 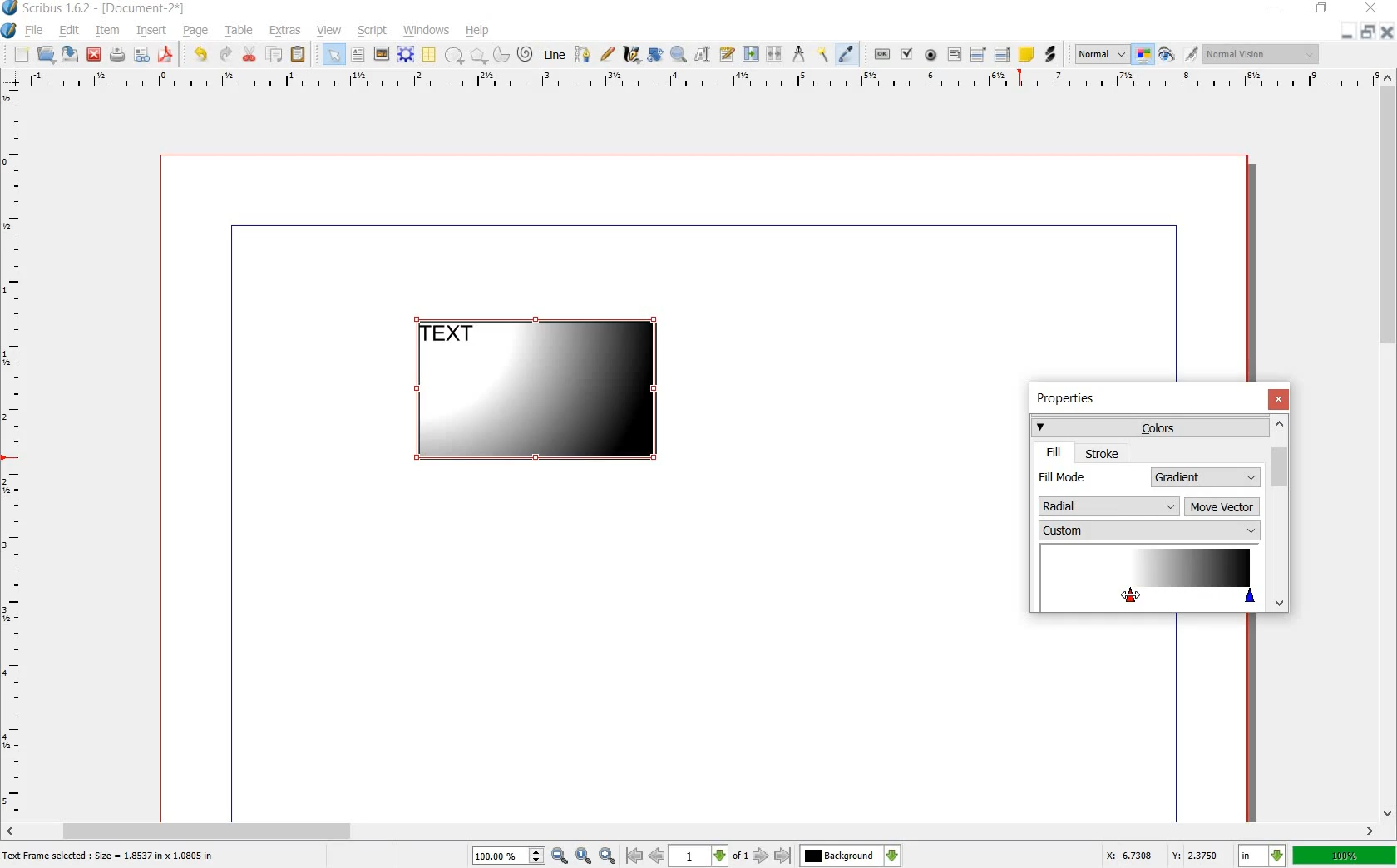 What do you see at coordinates (72, 54) in the screenshot?
I see `save` at bounding box center [72, 54].